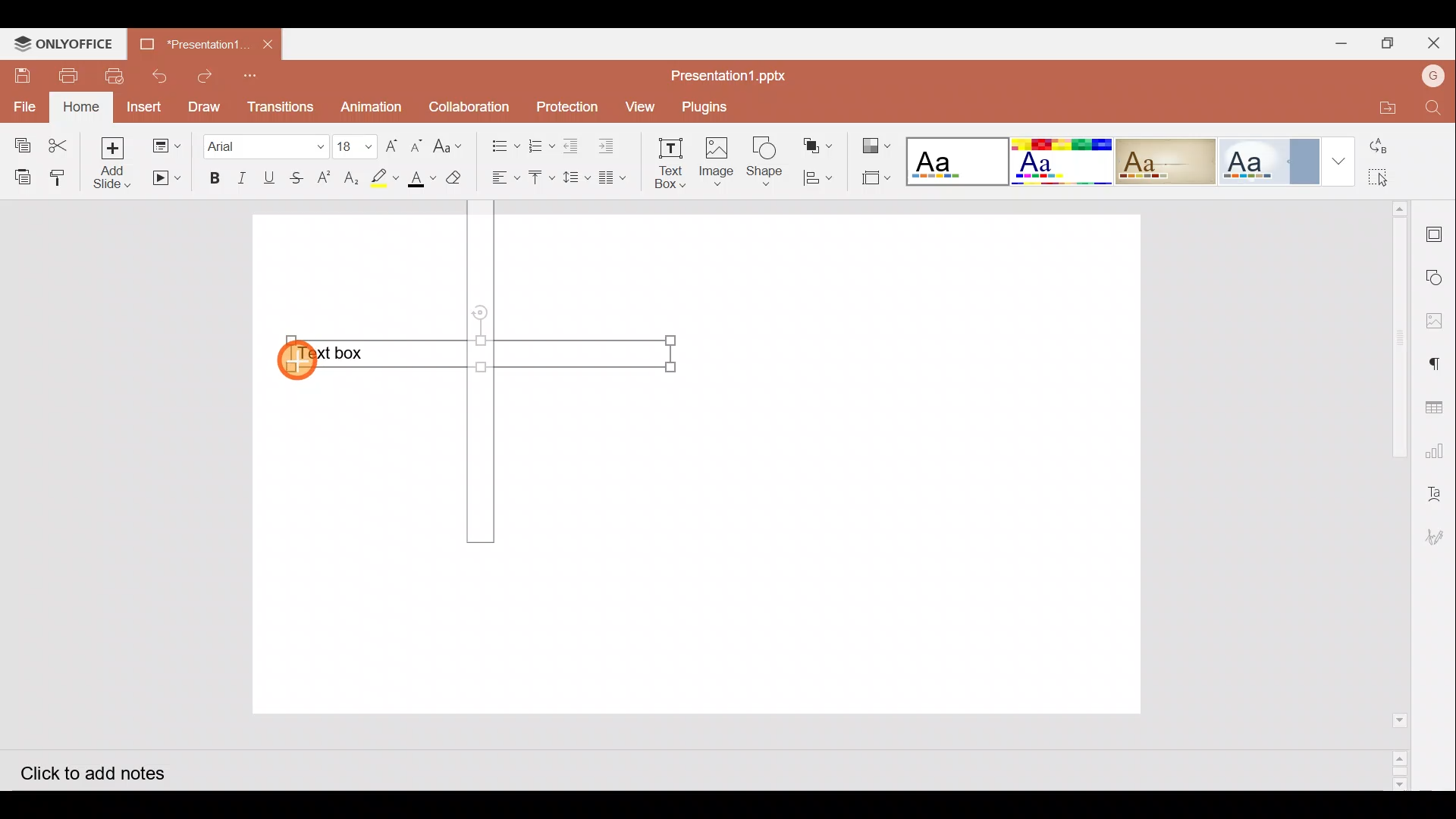 This screenshot has height=819, width=1456. Describe the element at coordinates (356, 146) in the screenshot. I see `Font size` at that location.